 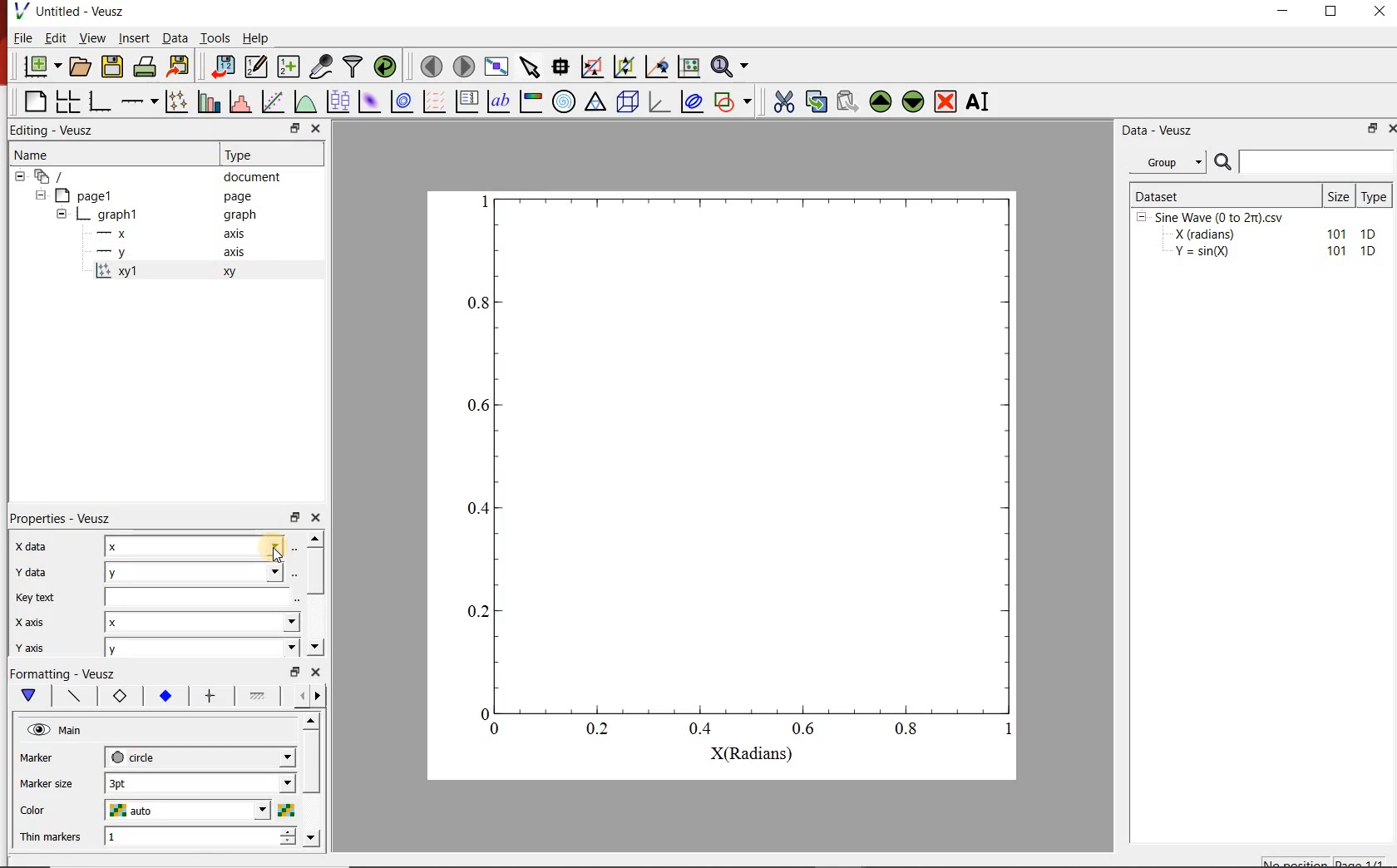 I want to click on Name, so click(x=30, y=153).